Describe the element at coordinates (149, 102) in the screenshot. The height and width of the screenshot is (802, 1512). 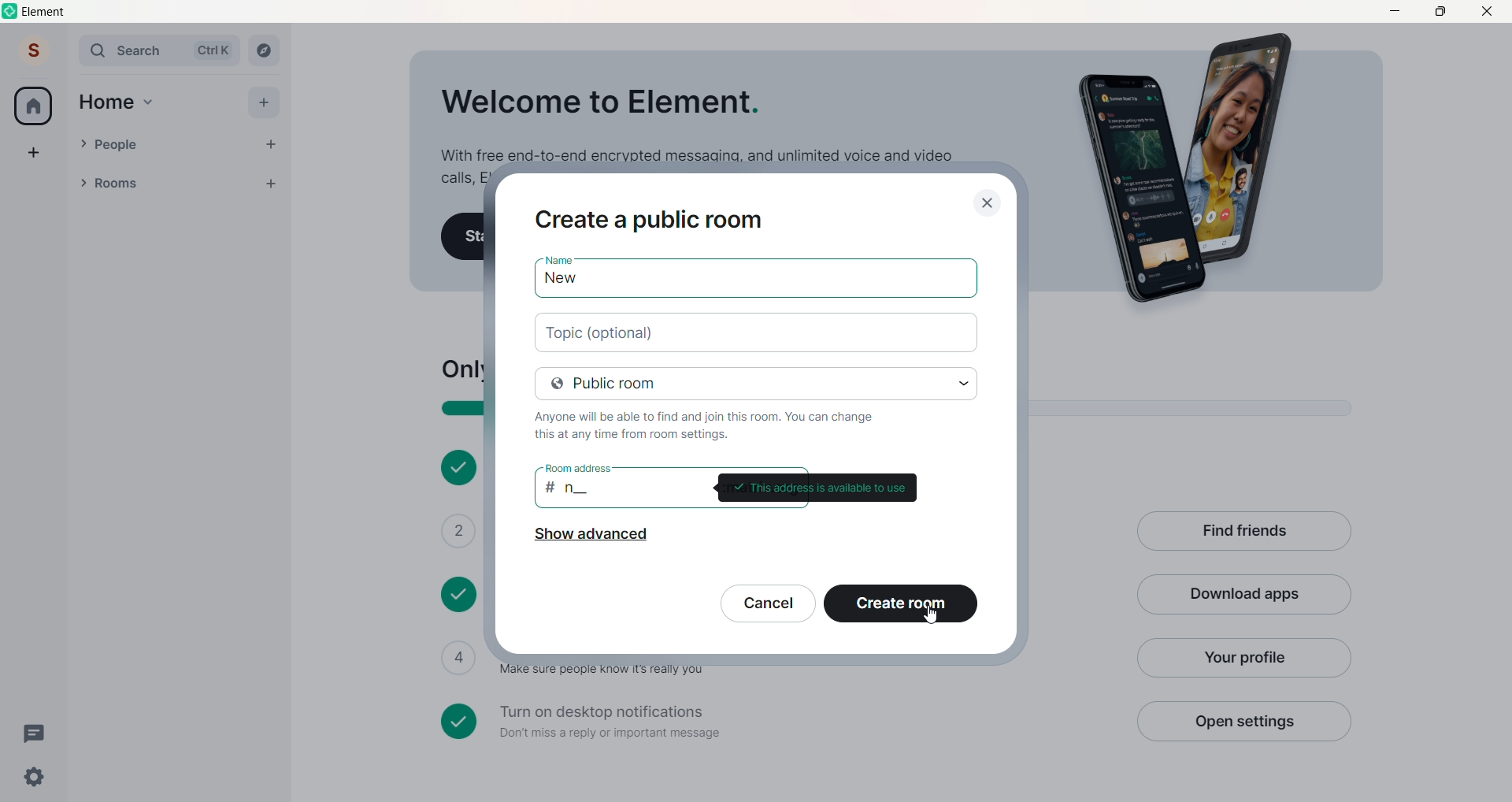
I see `Home Drop Down` at that location.